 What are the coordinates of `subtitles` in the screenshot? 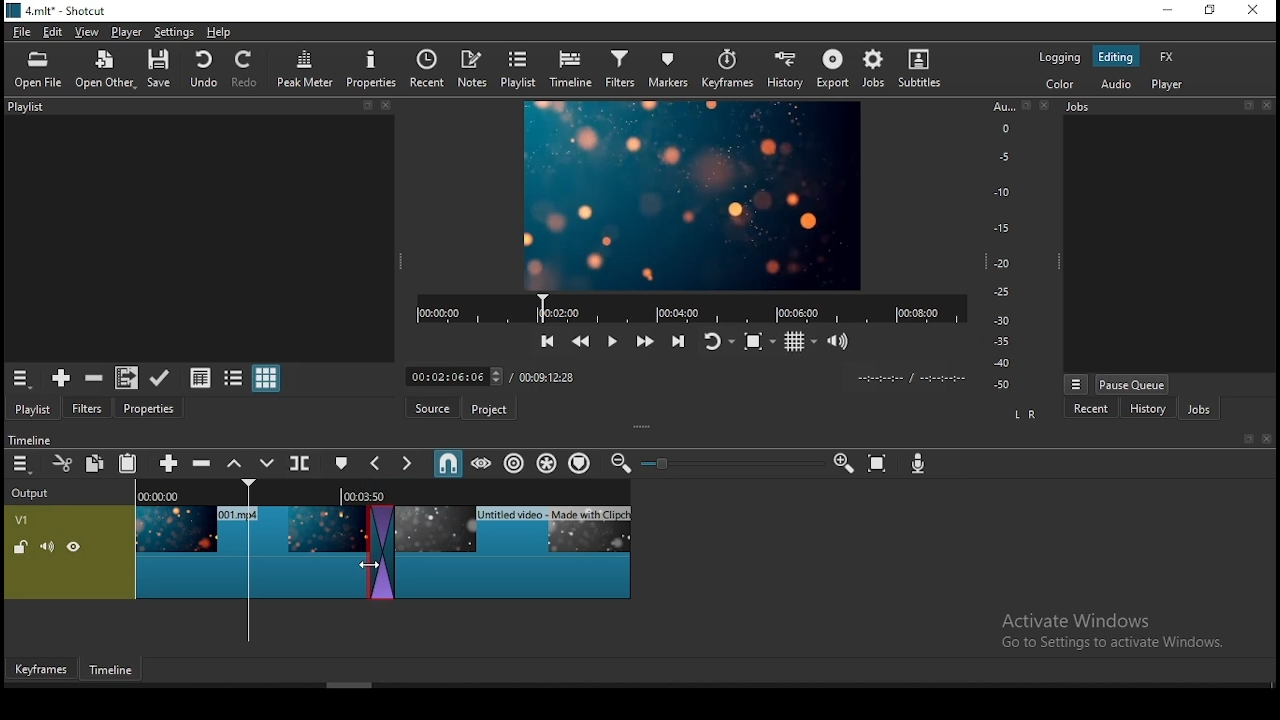 It's located at (919, 69).